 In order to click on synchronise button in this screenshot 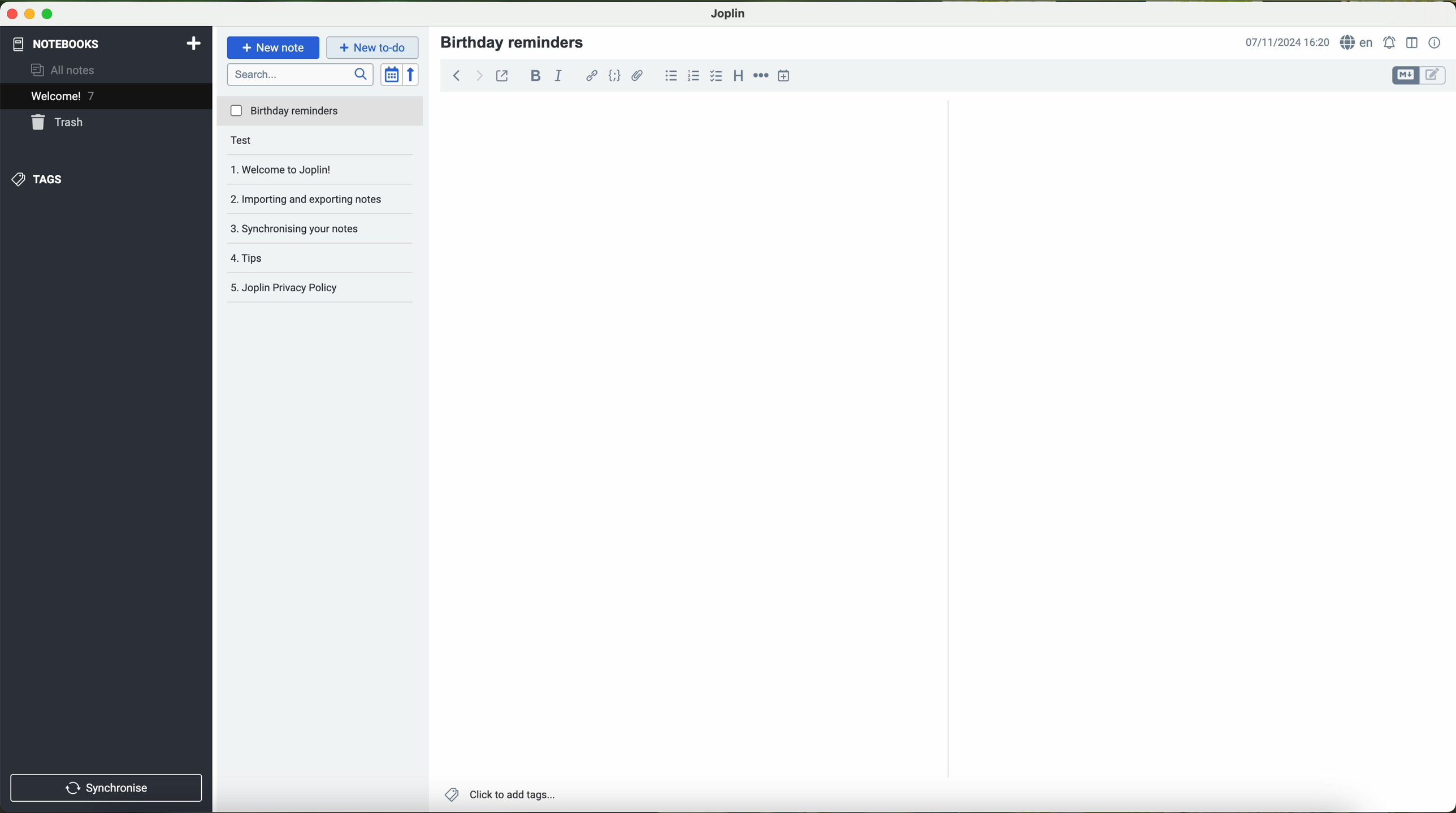, I will do `click(105, 786)`.